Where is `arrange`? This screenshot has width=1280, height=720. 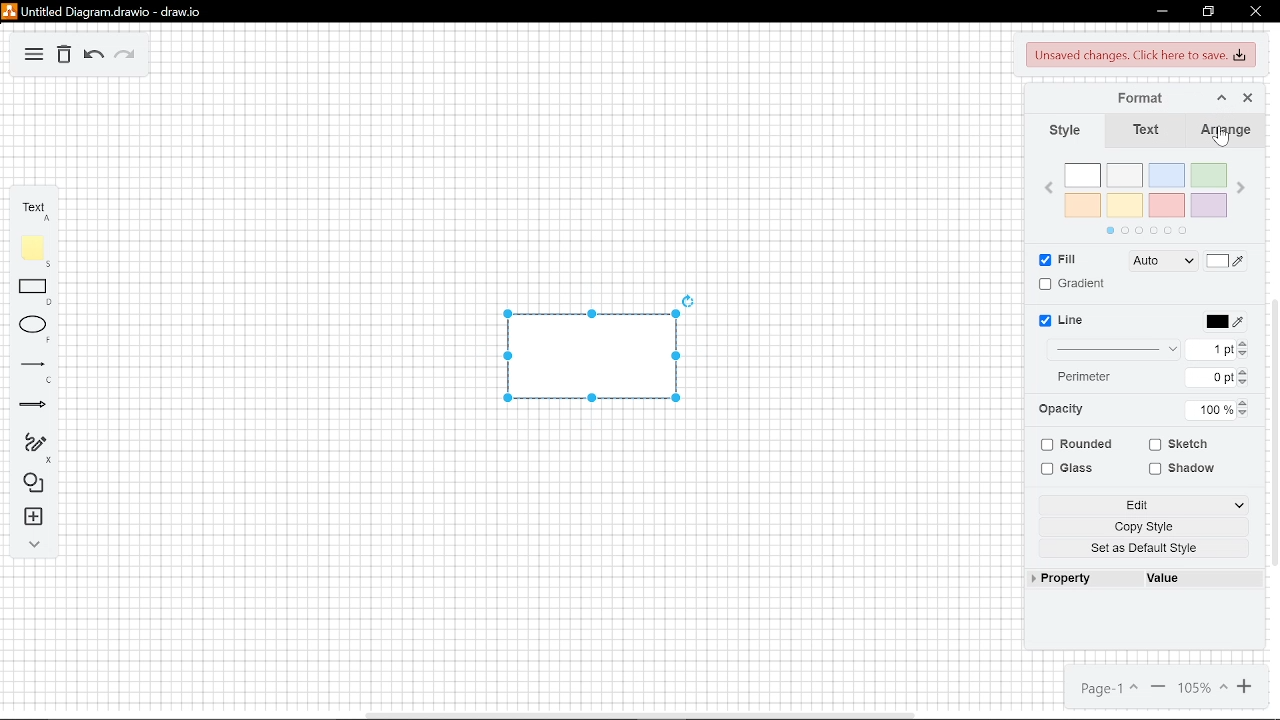 arrange is located at coordinates (1221, 132).